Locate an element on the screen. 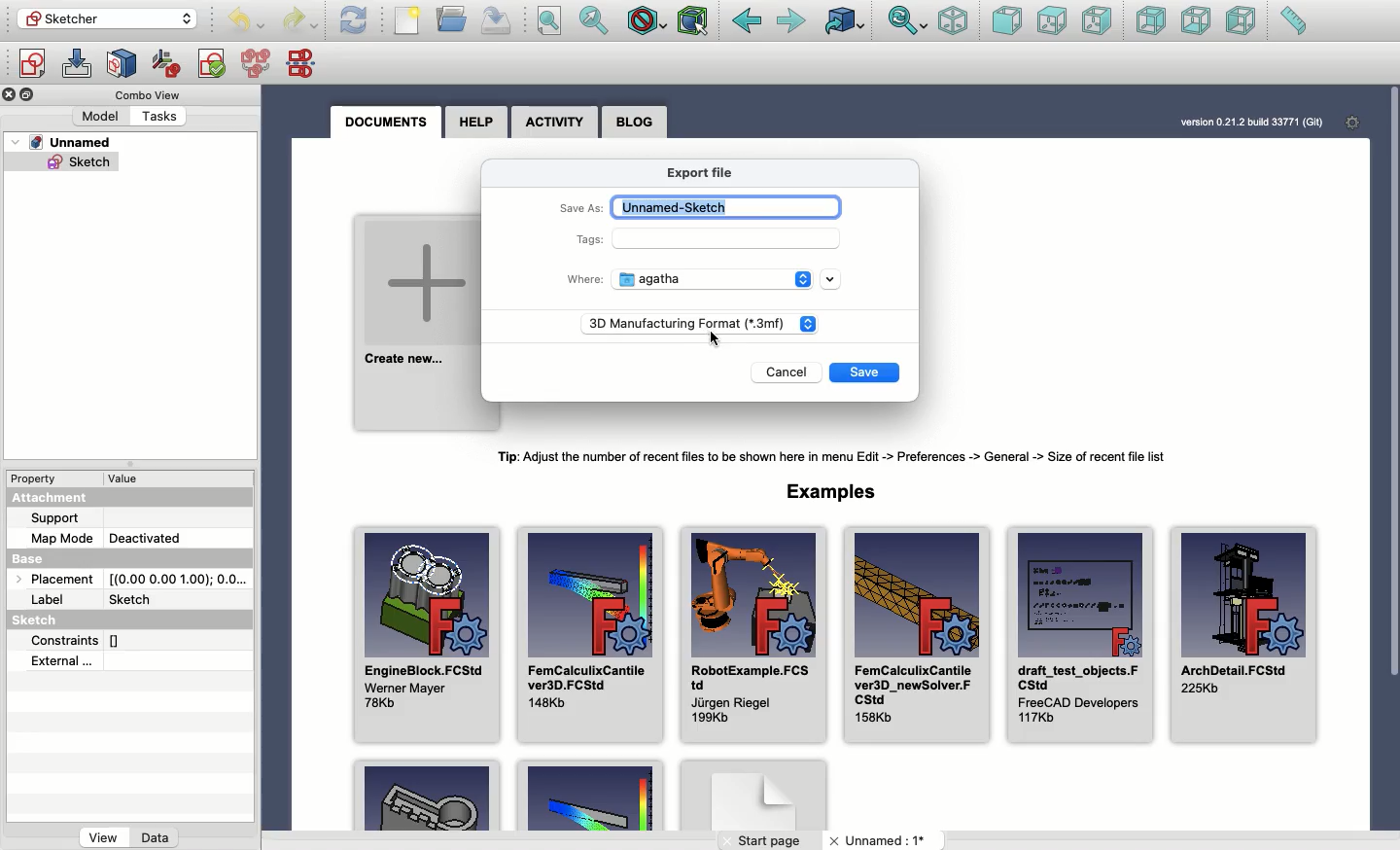 This screenshot has width=1400, height=850. Isometric is located at coordinates (953, 22).